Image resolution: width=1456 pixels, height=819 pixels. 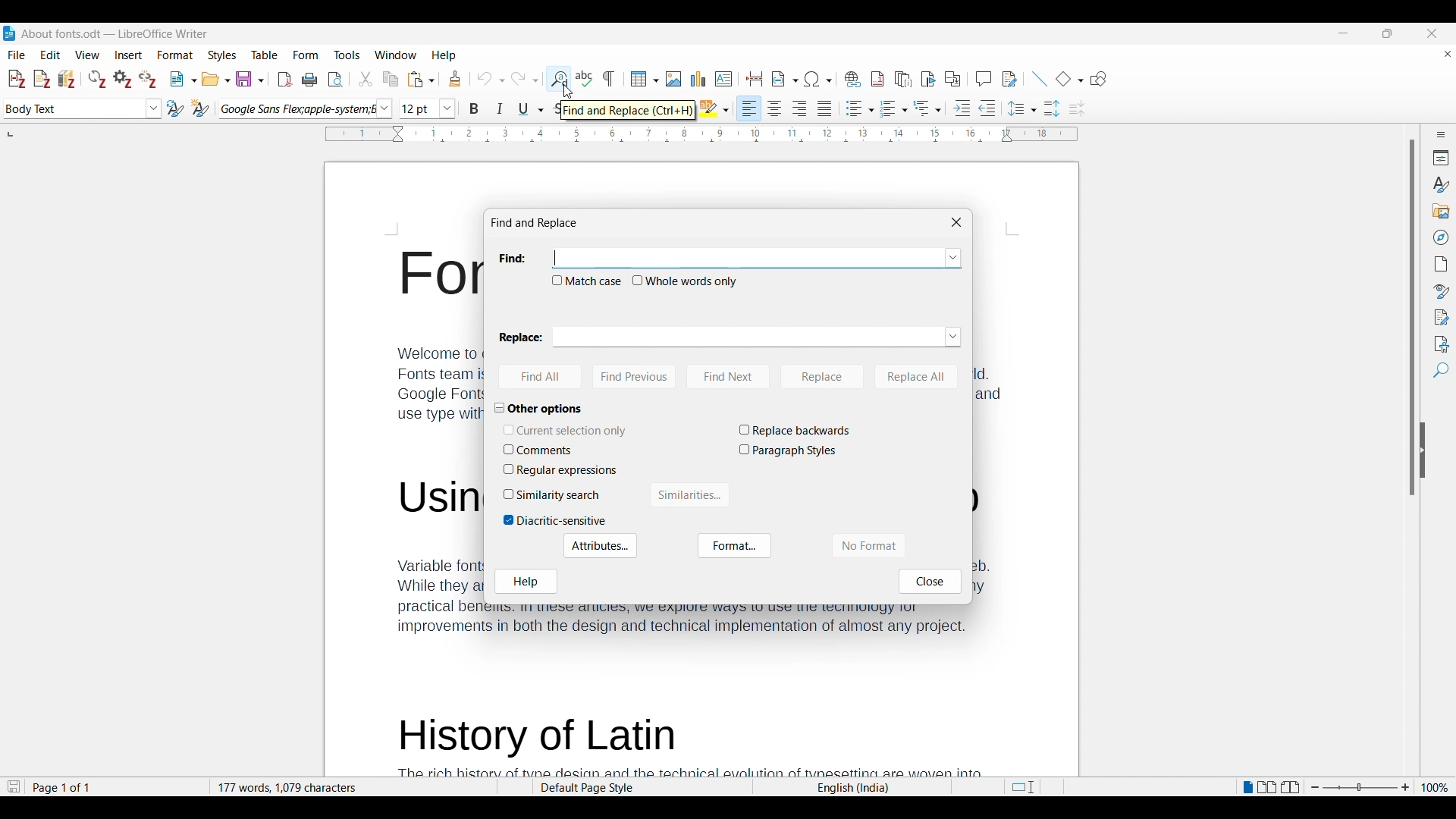 What do you see at coordinates (500, 108) in the screenshot?
I see `Italics` at bounding box center [500, 108].